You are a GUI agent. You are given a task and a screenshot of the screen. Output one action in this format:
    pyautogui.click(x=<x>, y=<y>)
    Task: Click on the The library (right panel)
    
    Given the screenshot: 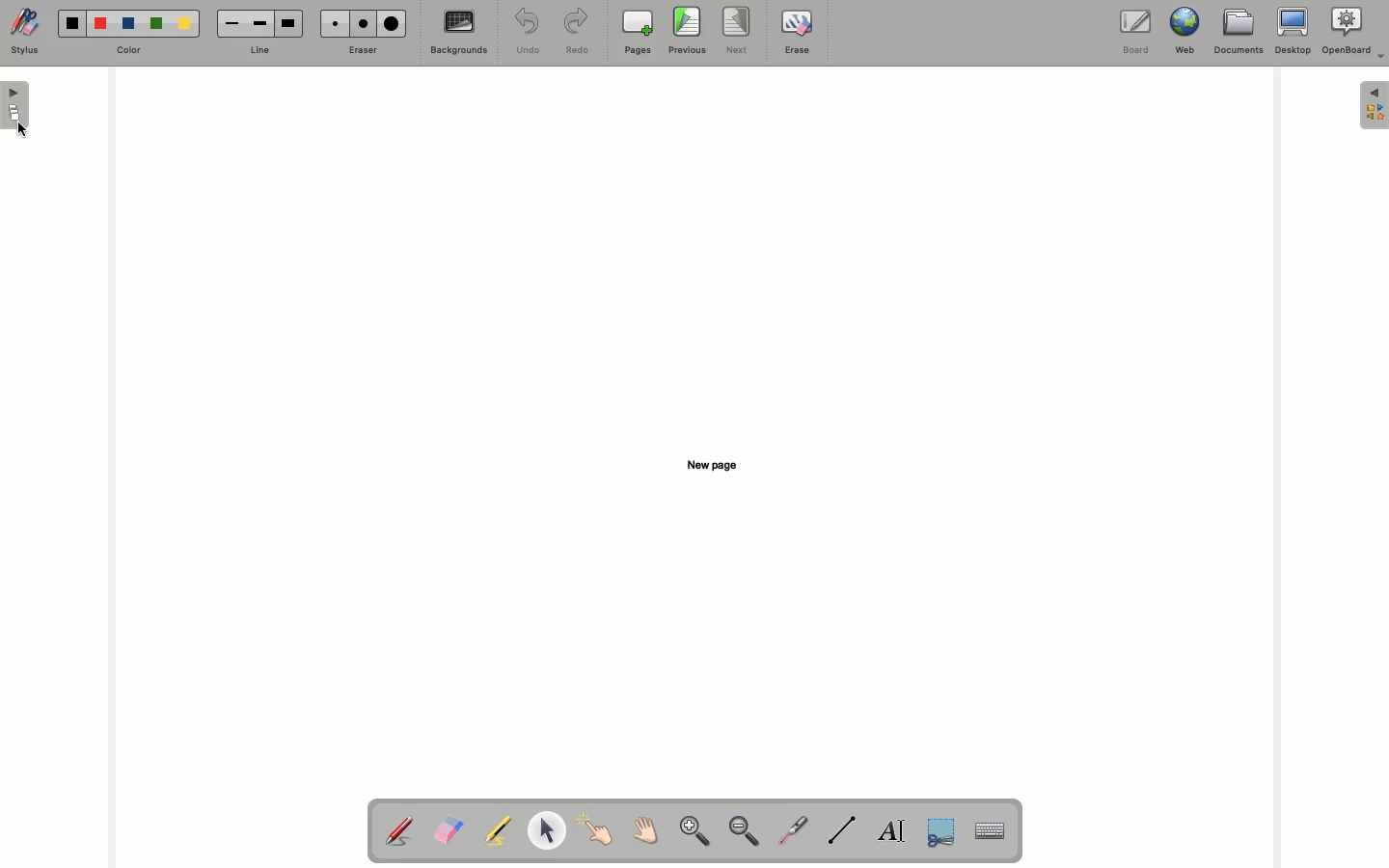 What is the action you would take?
    pyautogui.click(x=1375, y=105)
    